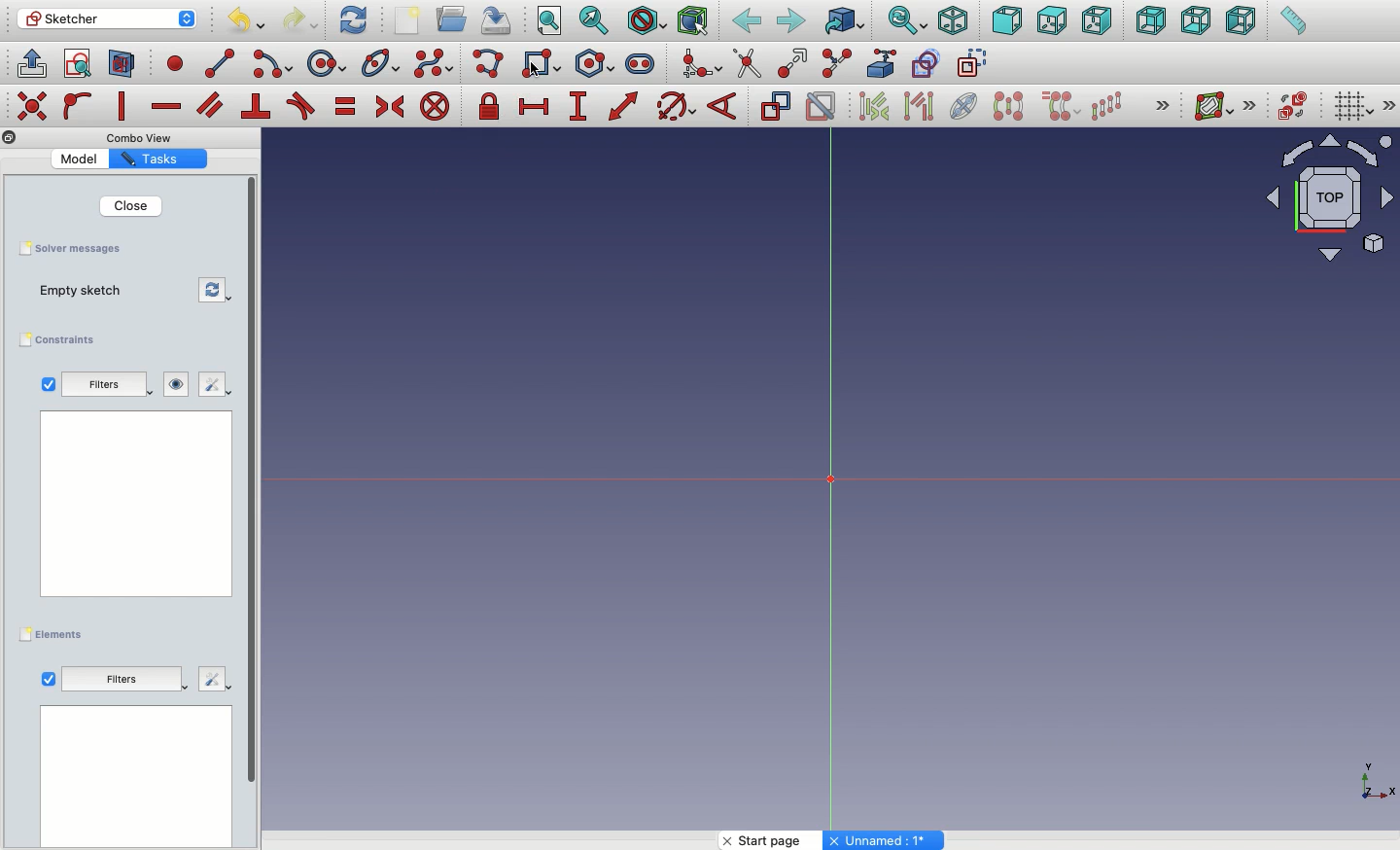 The width and height of the screenshot is (1400, 850). What do you see at coordinates (434, 106) in the screenshot?
I see `constrain block` at bounding box center [434, 106].